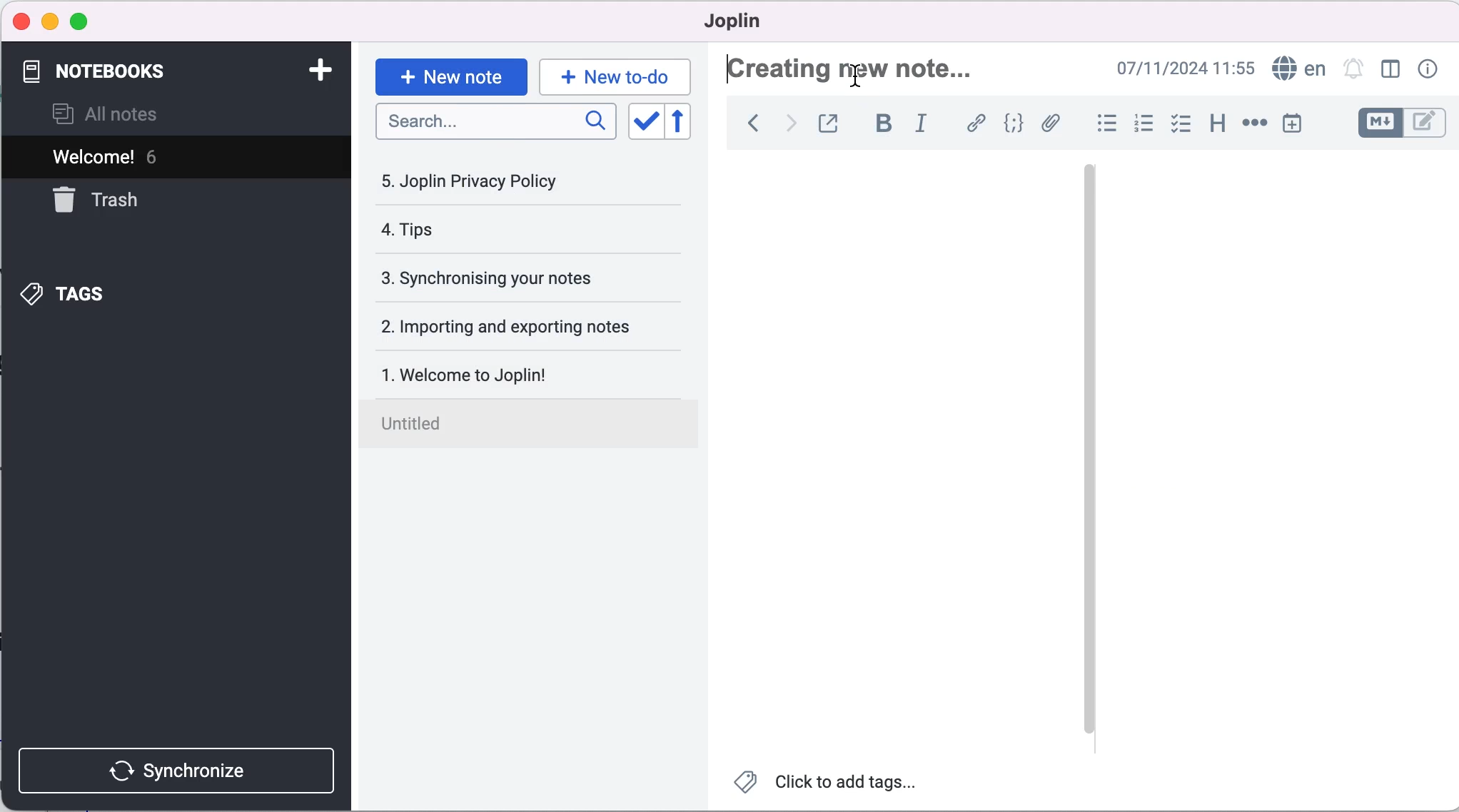 The height and width of the screenshot is (812, 1459). I want to click on joplin privacy policy, so click(486, 181).